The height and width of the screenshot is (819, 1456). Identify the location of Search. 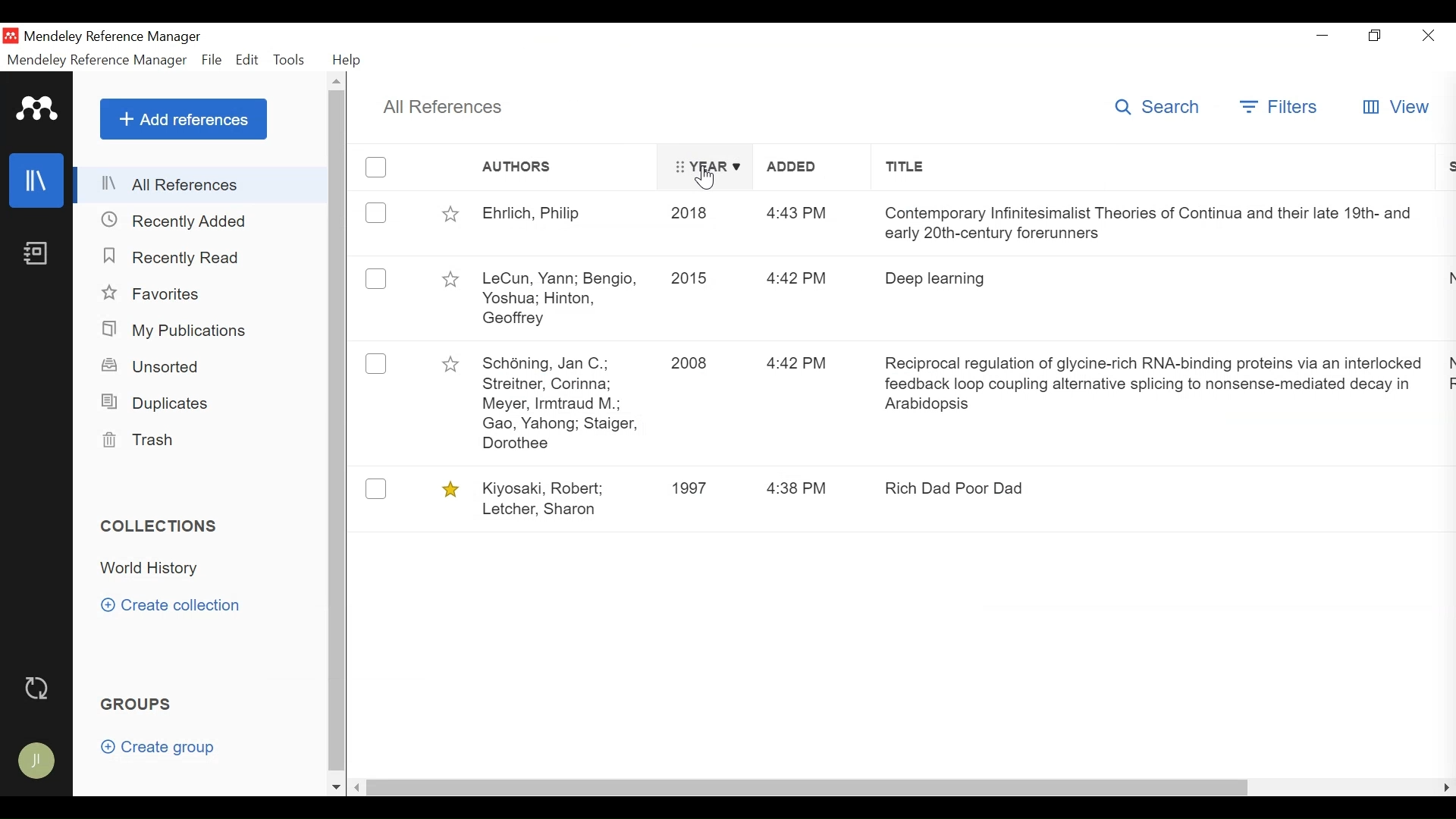
(1161, 107).